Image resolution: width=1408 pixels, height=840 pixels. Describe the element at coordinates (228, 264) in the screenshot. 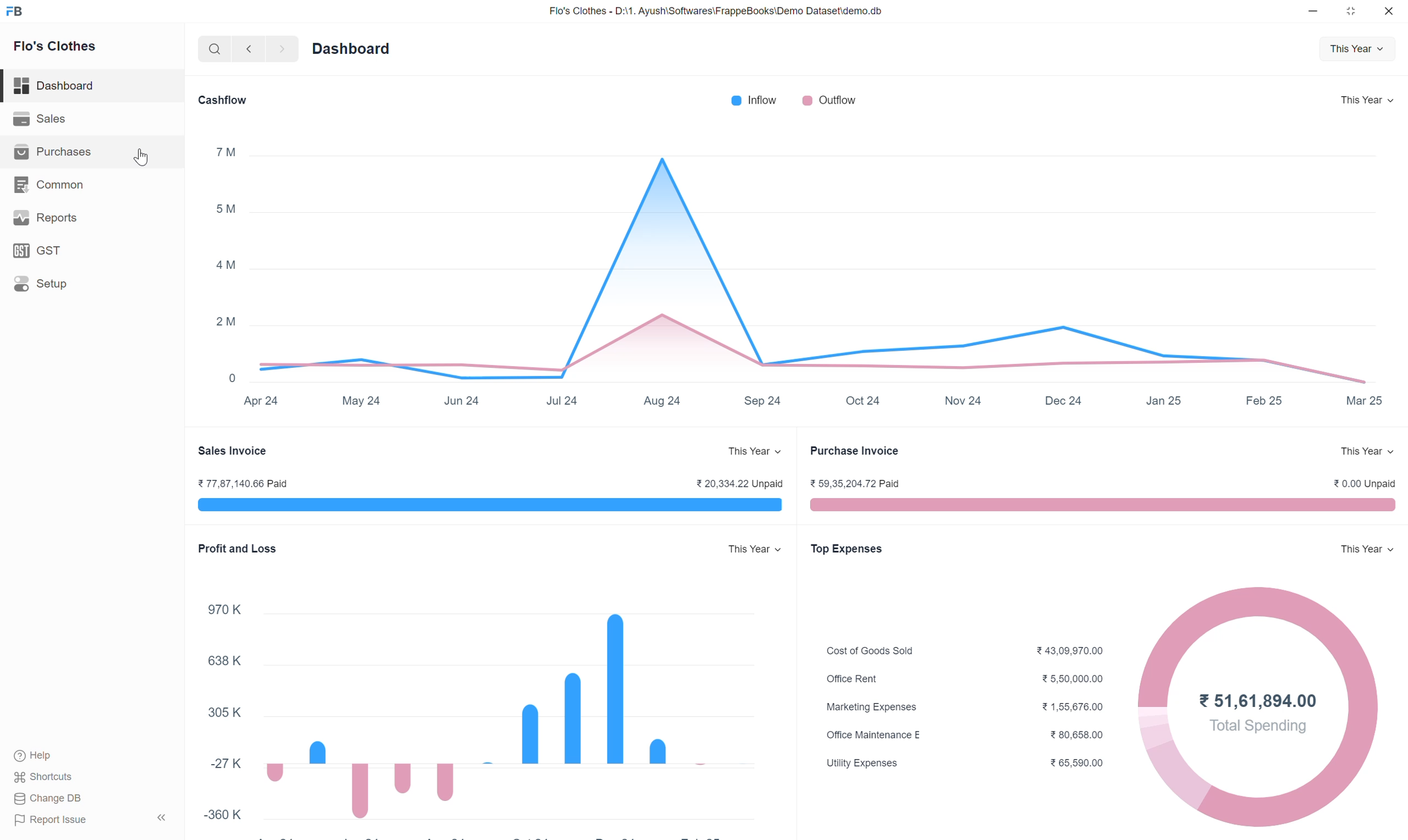

I see `7M 5M 4M 2M 0` at that location.